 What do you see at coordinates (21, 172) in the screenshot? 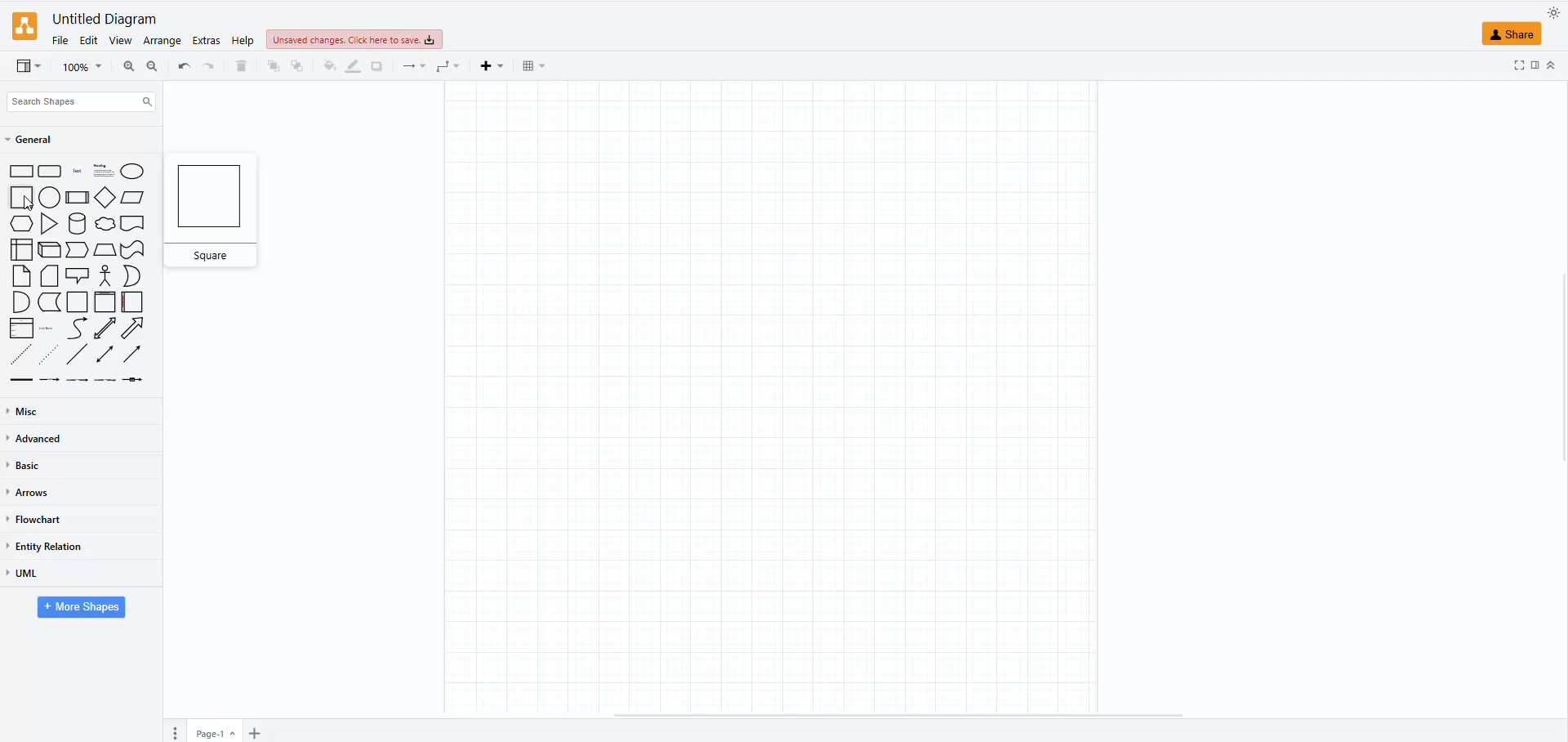
I see `rectangle` at bounding box center [21, 172].